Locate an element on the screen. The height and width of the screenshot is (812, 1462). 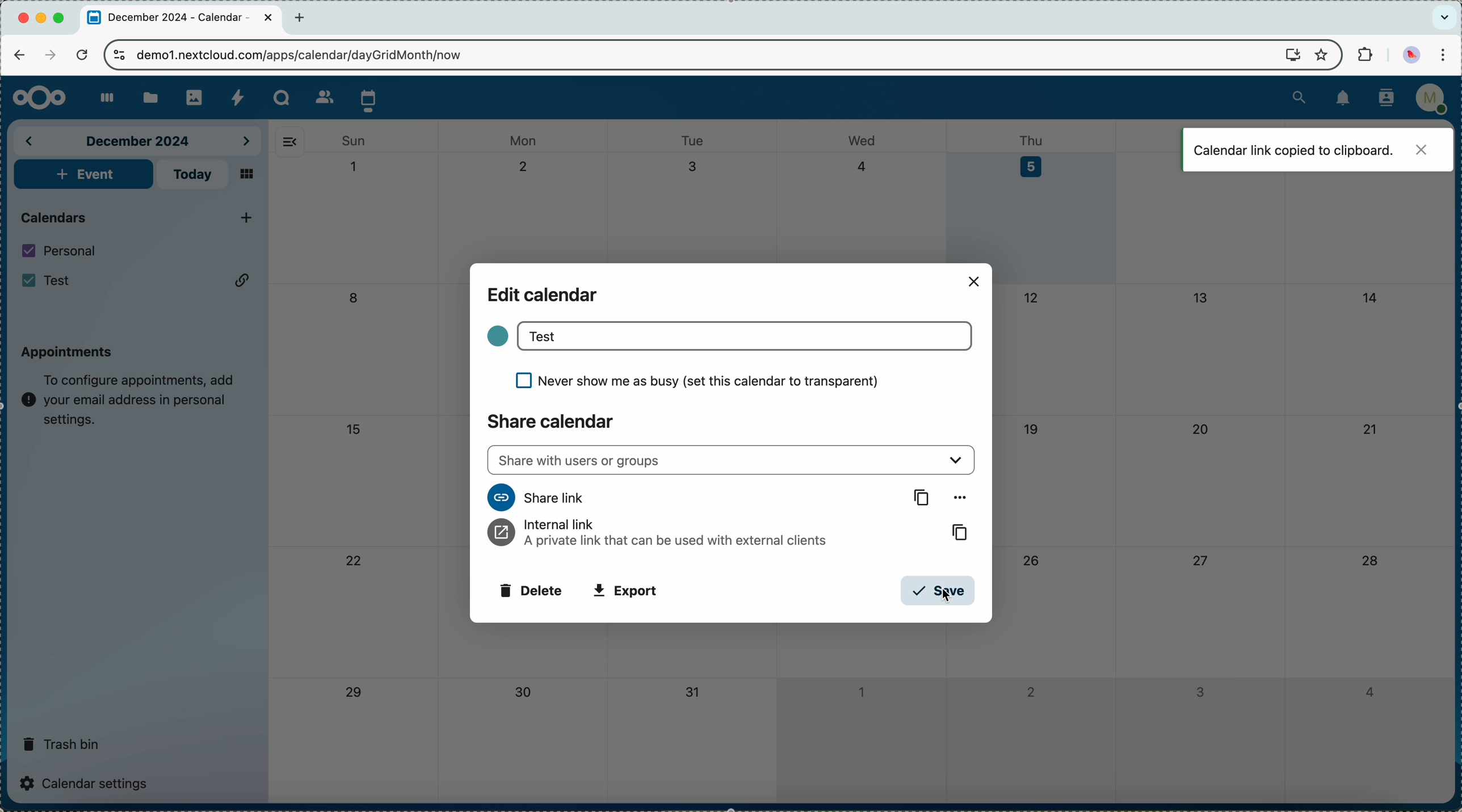
21 is located at coordinates (1369, 429).